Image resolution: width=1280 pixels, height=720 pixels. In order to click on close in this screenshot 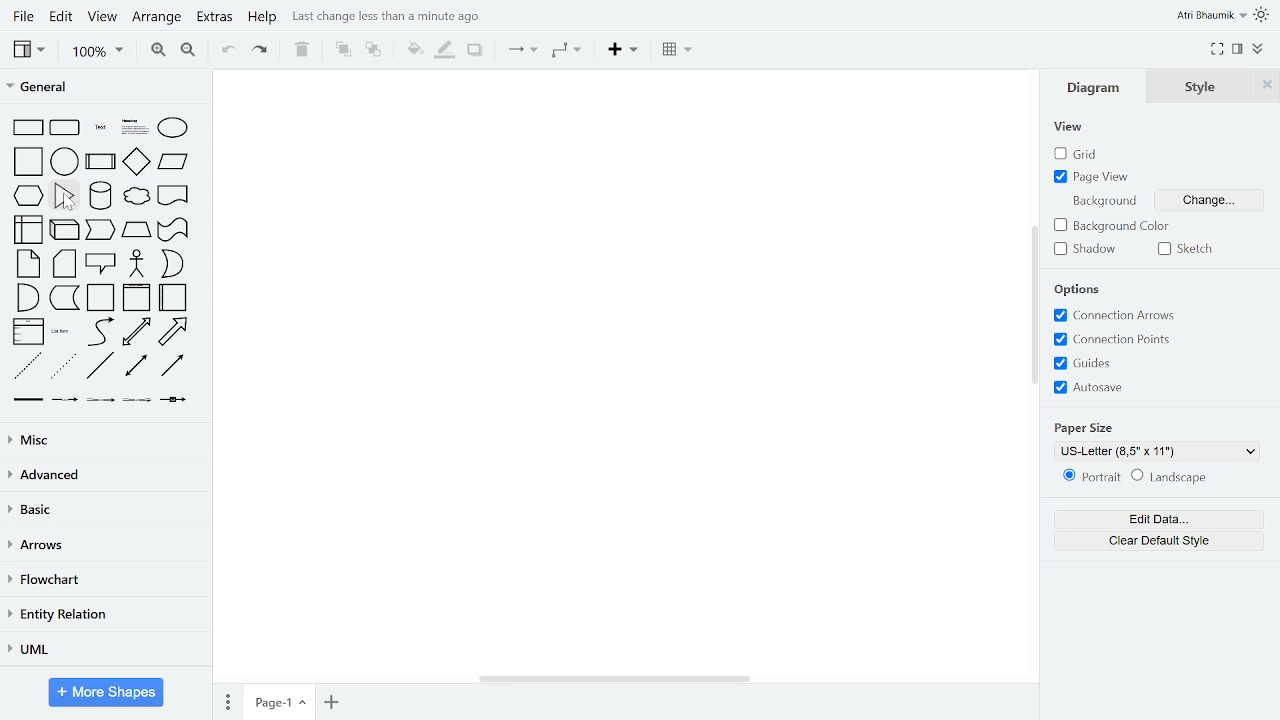, I will do `click(1268, 86)`.